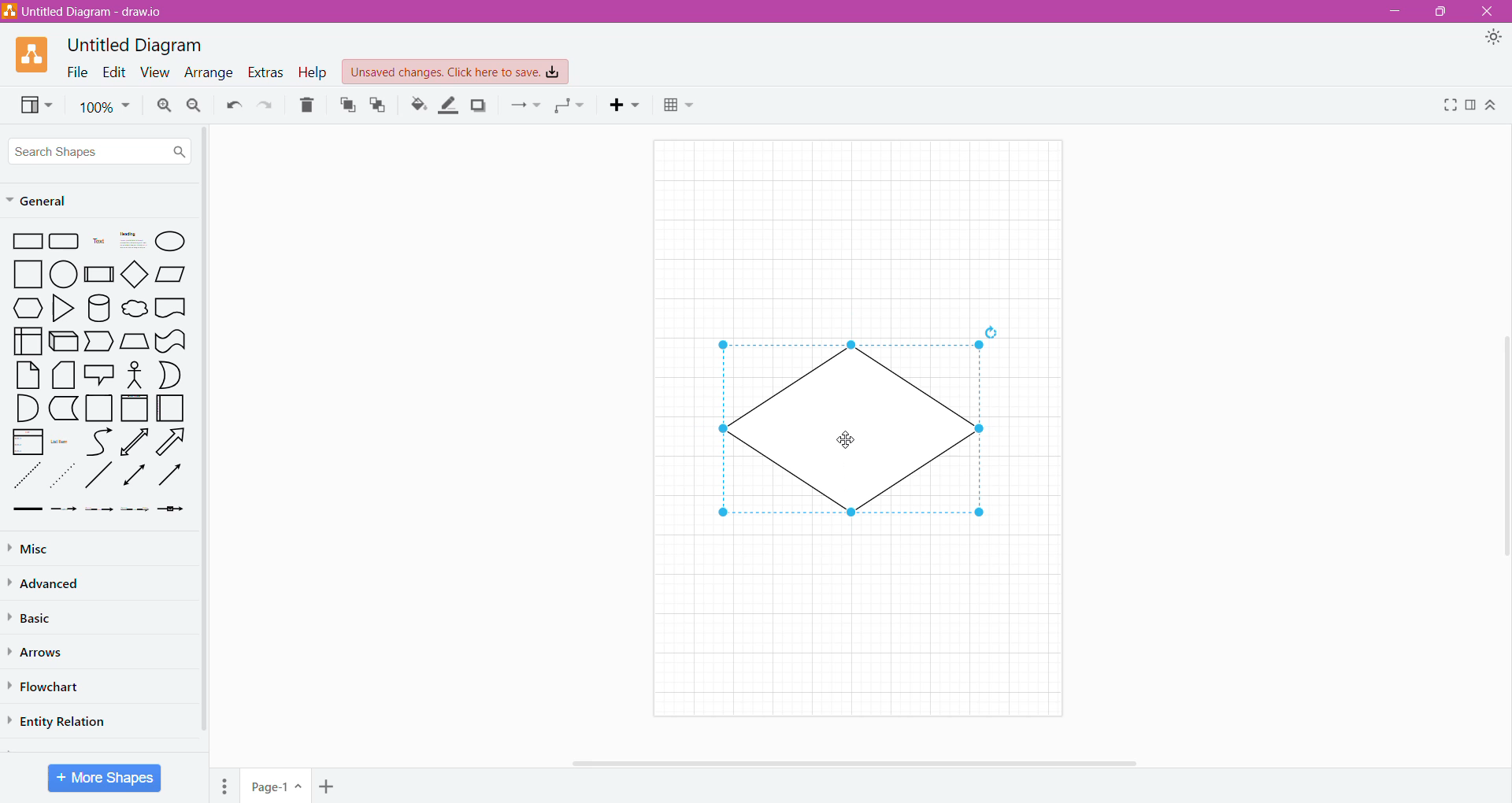 This screenshot has width=1512, height=803. Describe the element at coordinates (105, 107) in the screenshot. I see `Zoom 100%` at that location.